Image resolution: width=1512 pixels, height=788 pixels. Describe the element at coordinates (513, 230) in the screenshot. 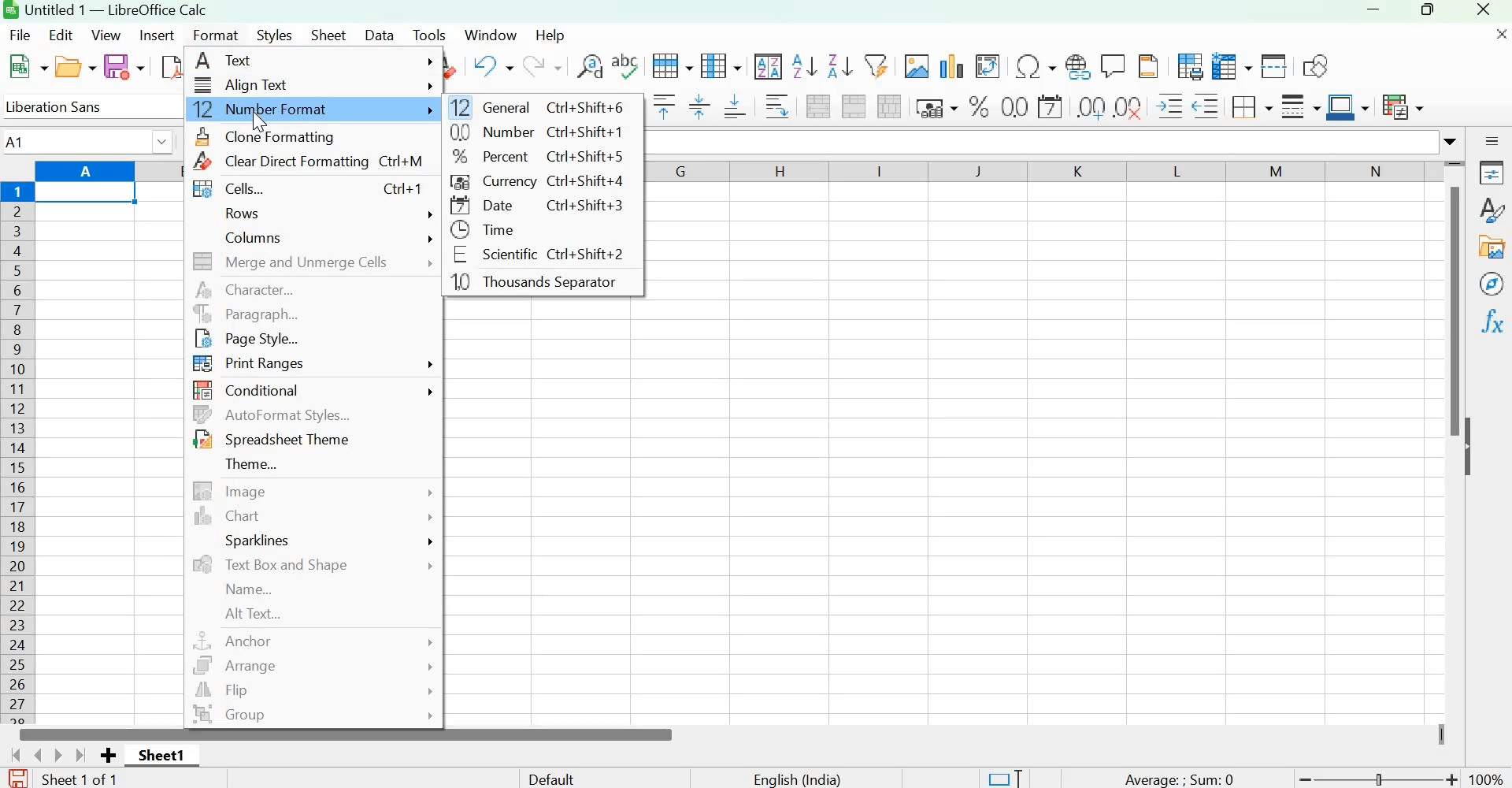

I see `Time` at that location.